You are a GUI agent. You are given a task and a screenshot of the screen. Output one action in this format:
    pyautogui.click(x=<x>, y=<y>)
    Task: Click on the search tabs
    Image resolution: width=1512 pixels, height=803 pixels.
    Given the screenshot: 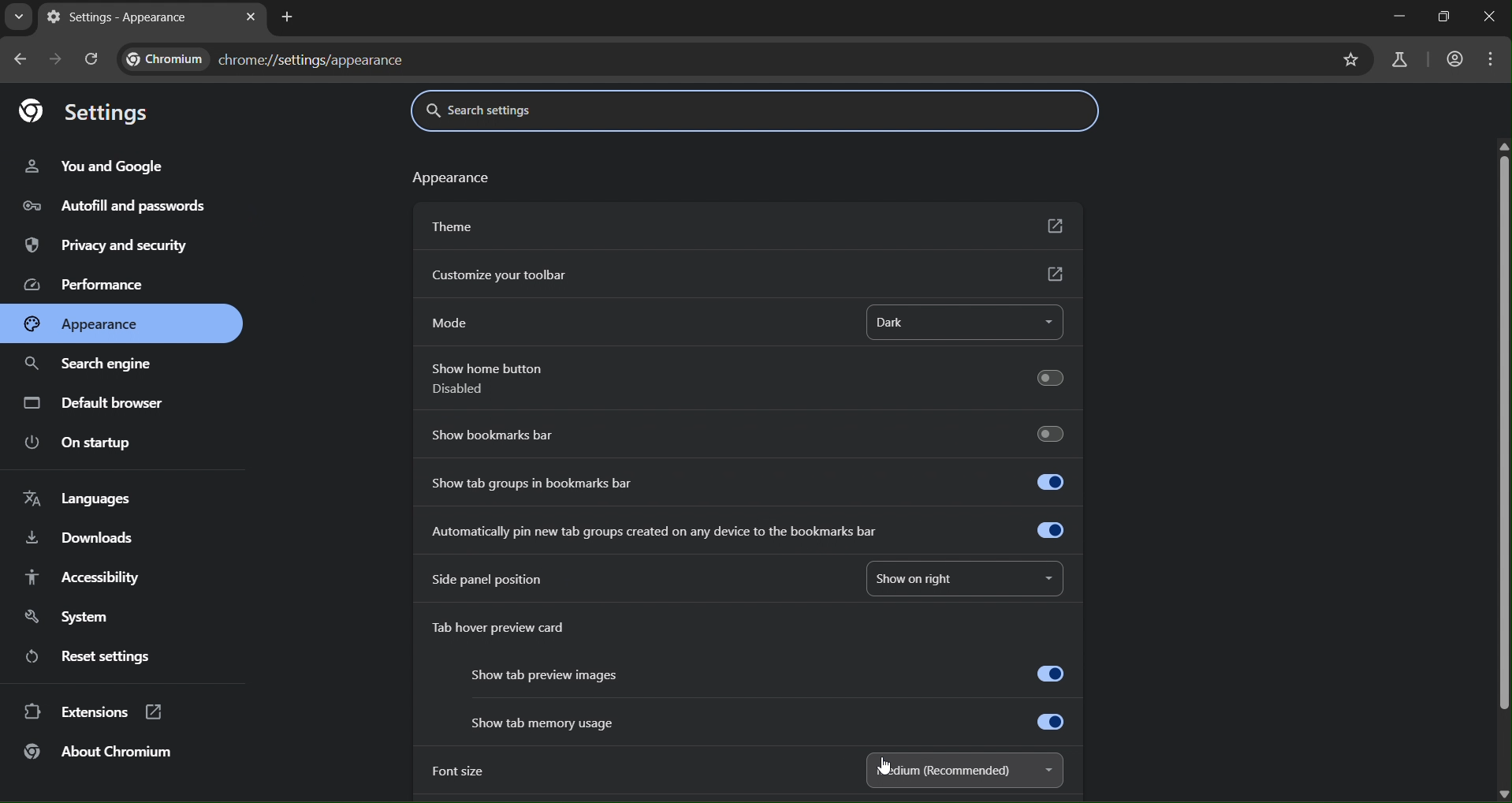 What is the action you would take?
    pyautogui.click(x=17, y=17)
    